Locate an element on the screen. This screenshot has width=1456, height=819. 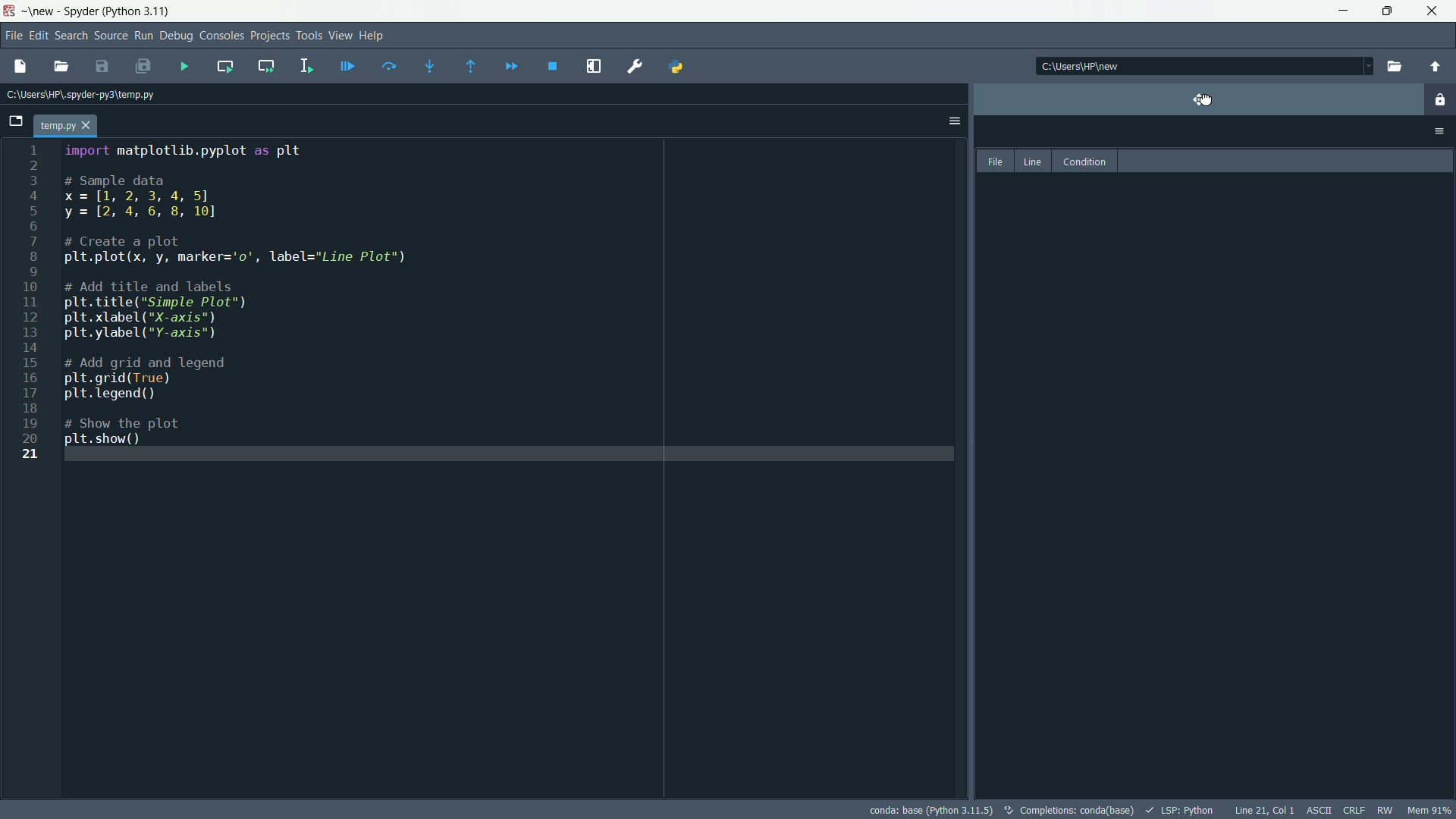
file is located at coordinates (995, 161).